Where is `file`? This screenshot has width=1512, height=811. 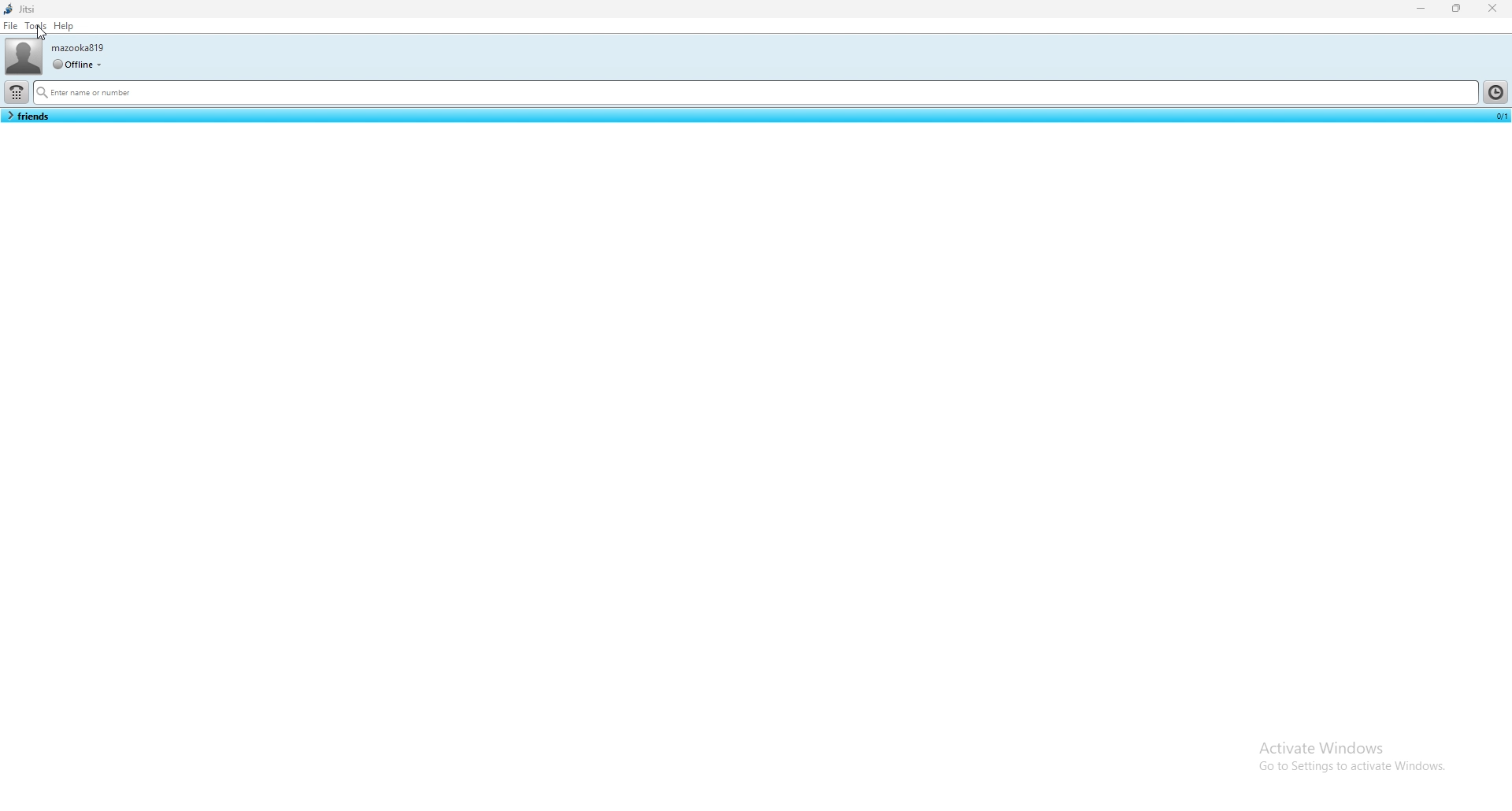 file is located at coordinates (11, 25).